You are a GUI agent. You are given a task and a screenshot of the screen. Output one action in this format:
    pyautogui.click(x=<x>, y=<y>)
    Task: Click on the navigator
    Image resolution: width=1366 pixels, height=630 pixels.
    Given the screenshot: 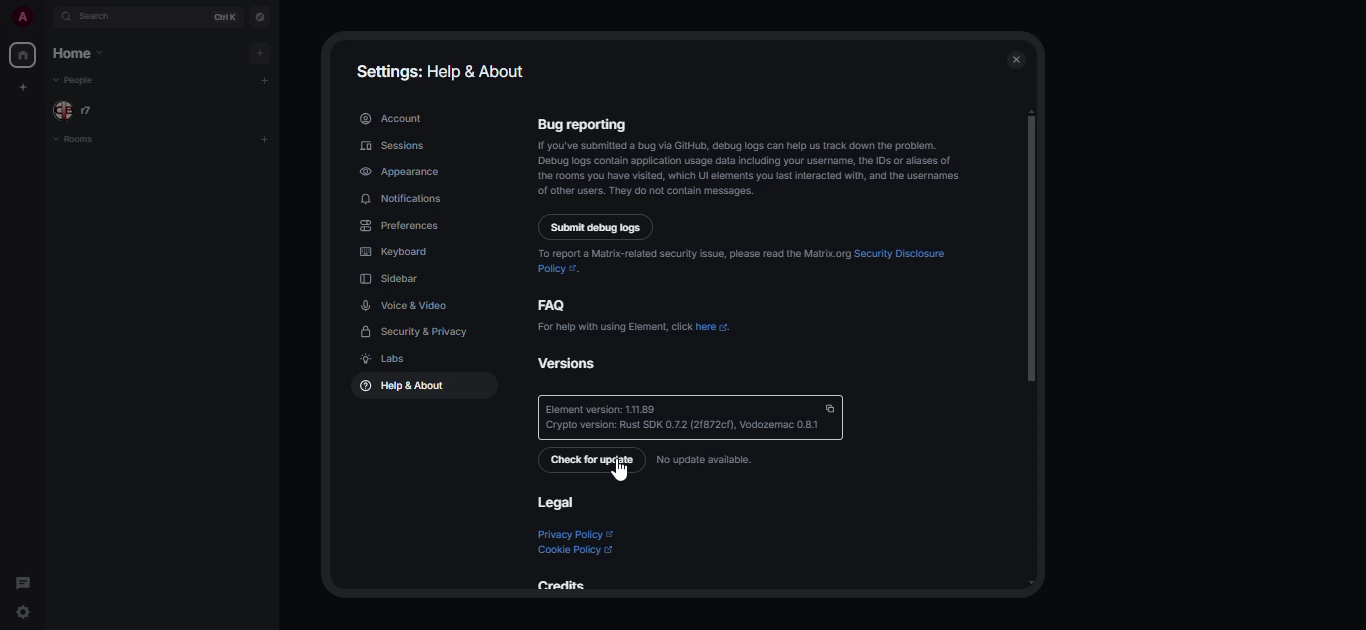 What is the action you would take?
    pyautogui.click(x=262, y=15)
    